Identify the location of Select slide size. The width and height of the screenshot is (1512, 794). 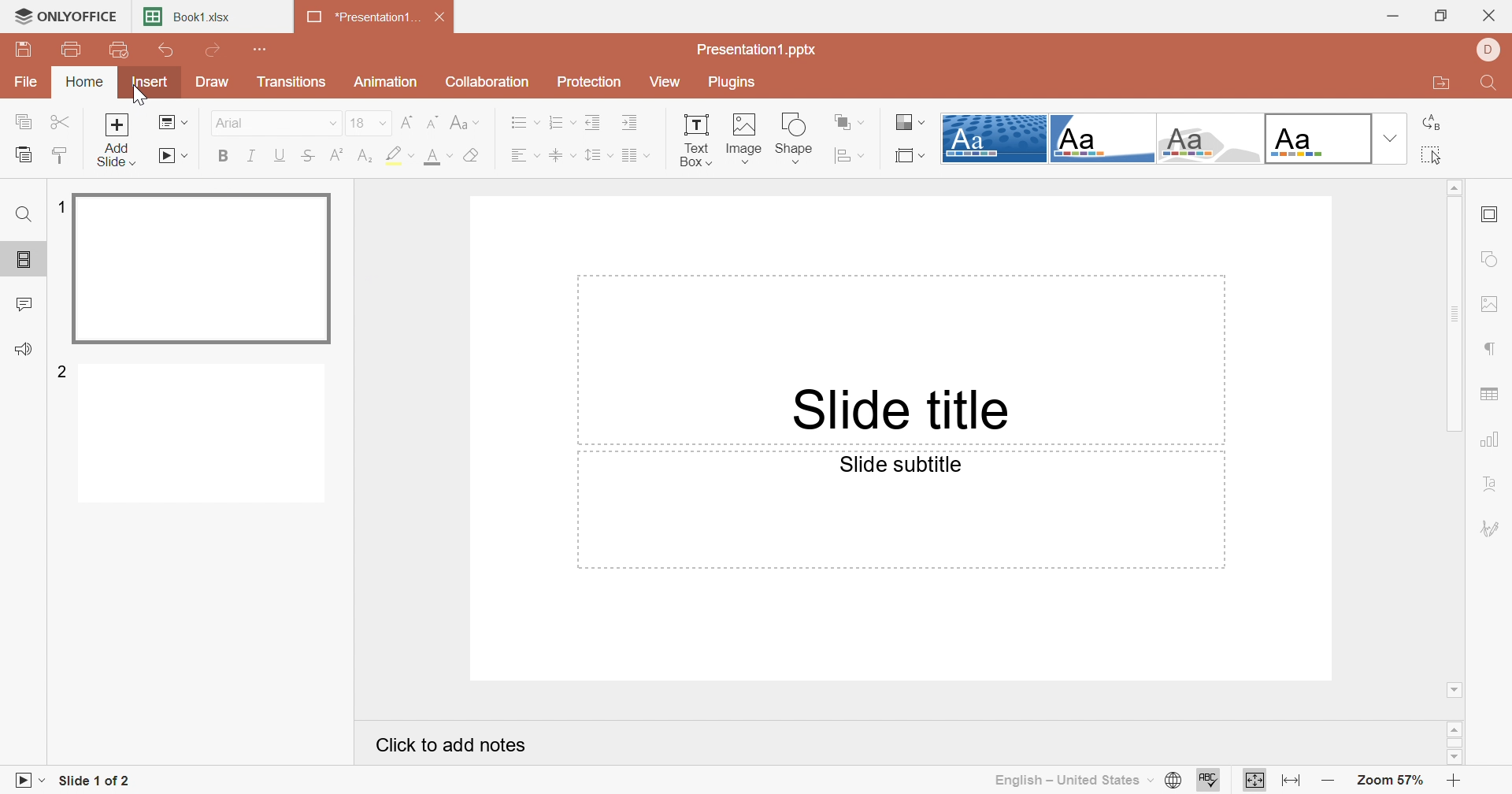
(908, 157).